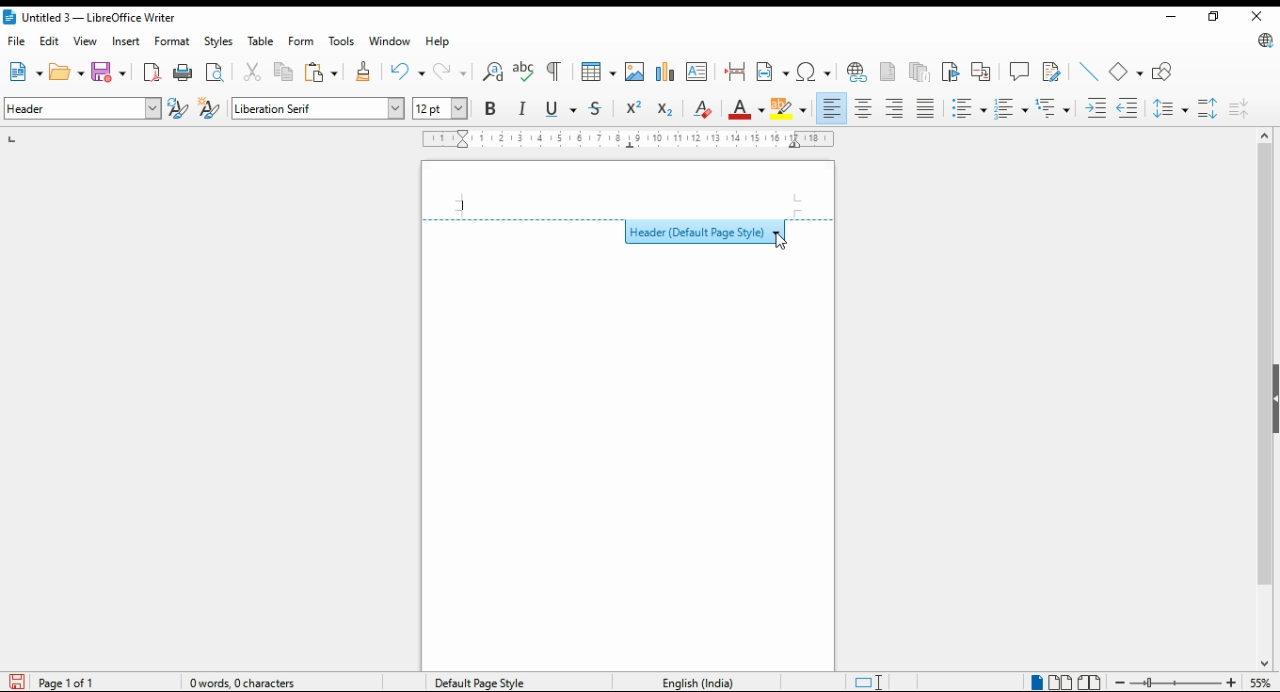 The height and width of the screenshot is (692, 1280). Describe the element at coordinates (1212, 16) in the screenshot. I see `restore` at that location.